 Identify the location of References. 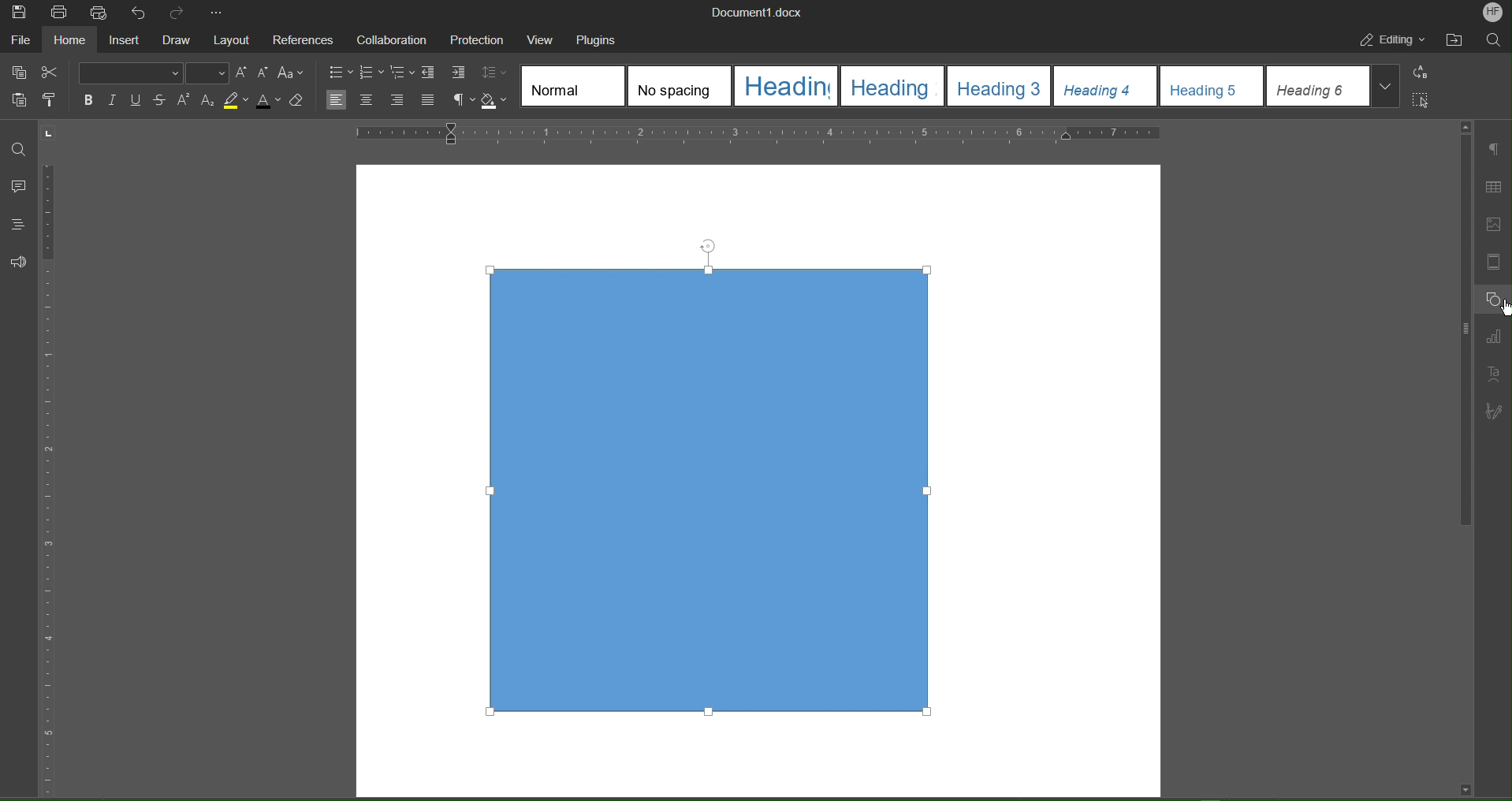
(306, 38).